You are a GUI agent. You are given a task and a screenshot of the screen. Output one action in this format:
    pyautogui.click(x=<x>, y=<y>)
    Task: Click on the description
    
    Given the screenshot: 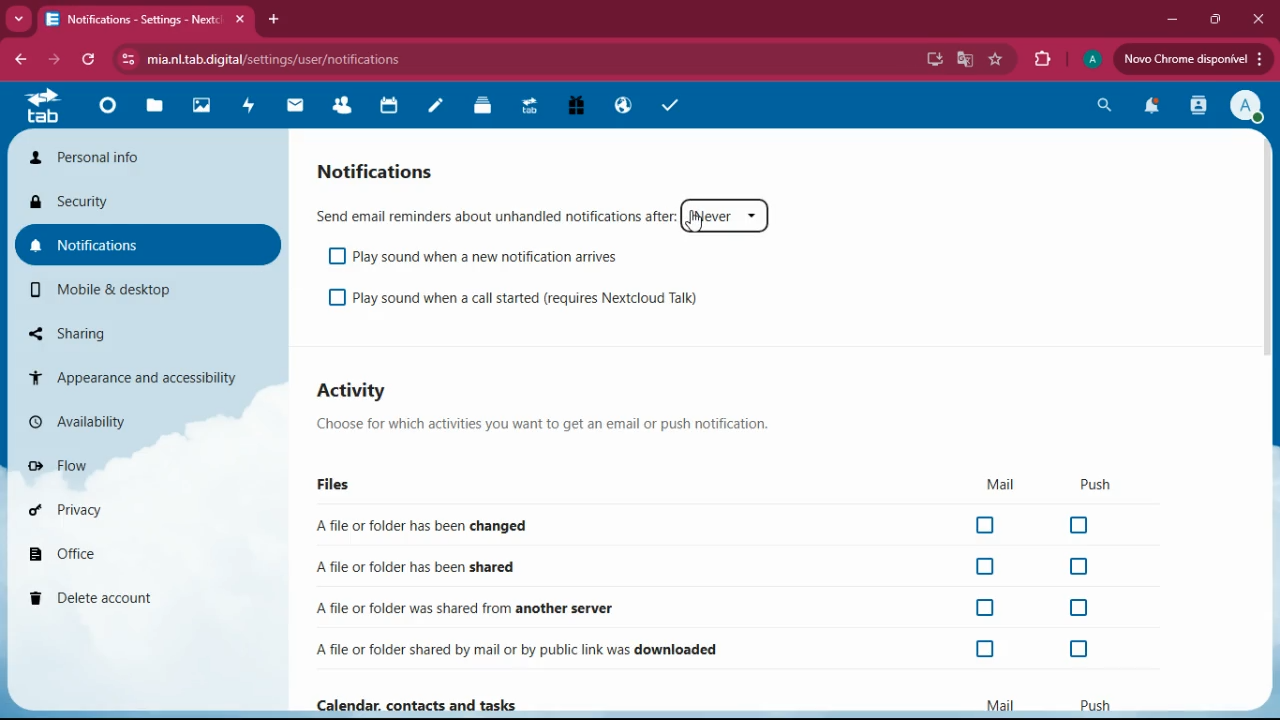 What is the action you would take?
    pyautogui.click(x=558, y=423)
    